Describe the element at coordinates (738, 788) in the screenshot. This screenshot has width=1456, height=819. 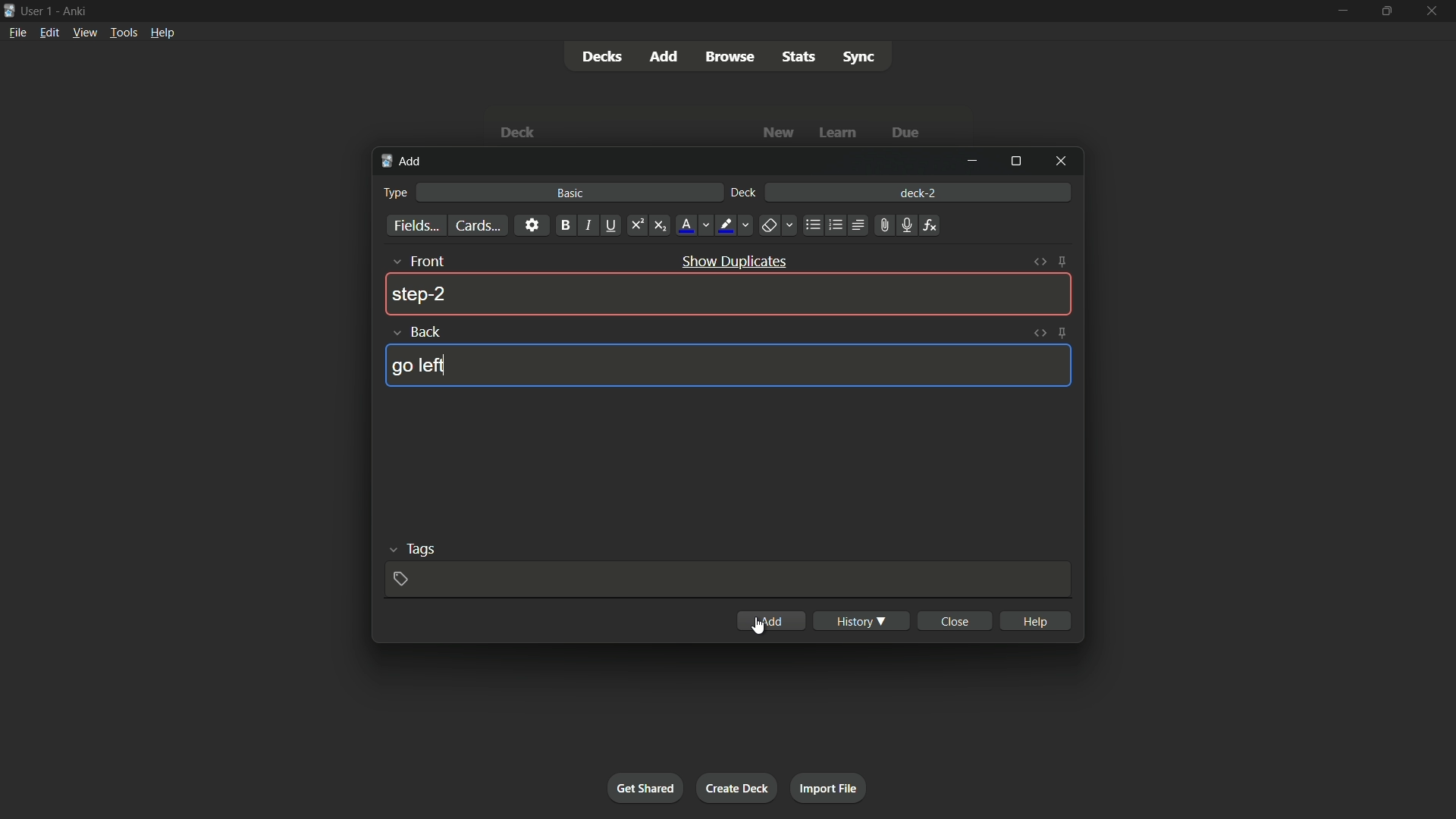
I see `create  deck` at that location.